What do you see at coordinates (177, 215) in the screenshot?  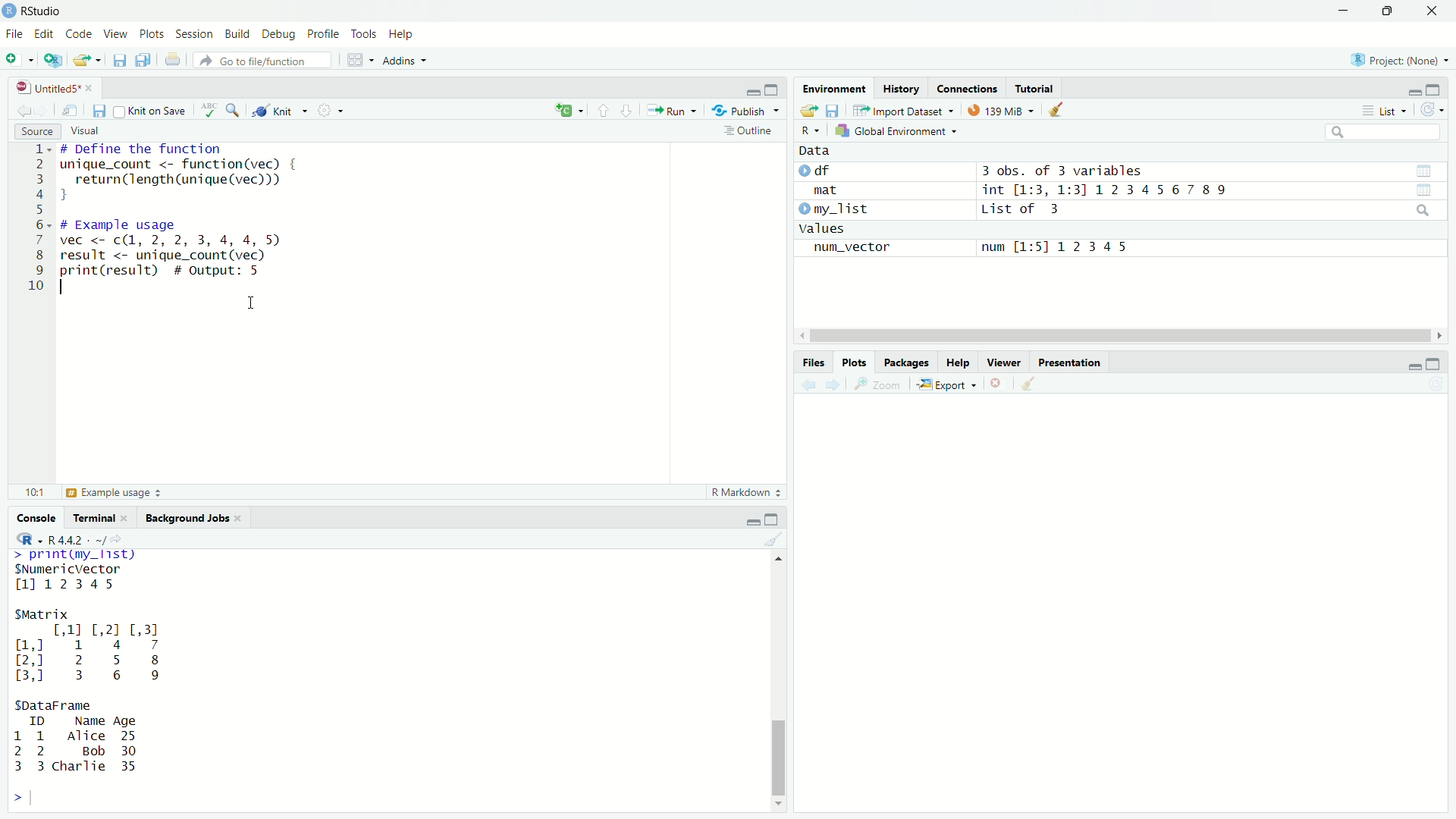 I see `# Define the function
inique_count <- function(vec) {
return(length (unique (vec)))

J

¢ Example usage

vec <- c(1, 2, 2, 3, 4, 4, 5
result <- unique_count (vec)
orint(result) # output: 5` at bounding box center [177, 215].